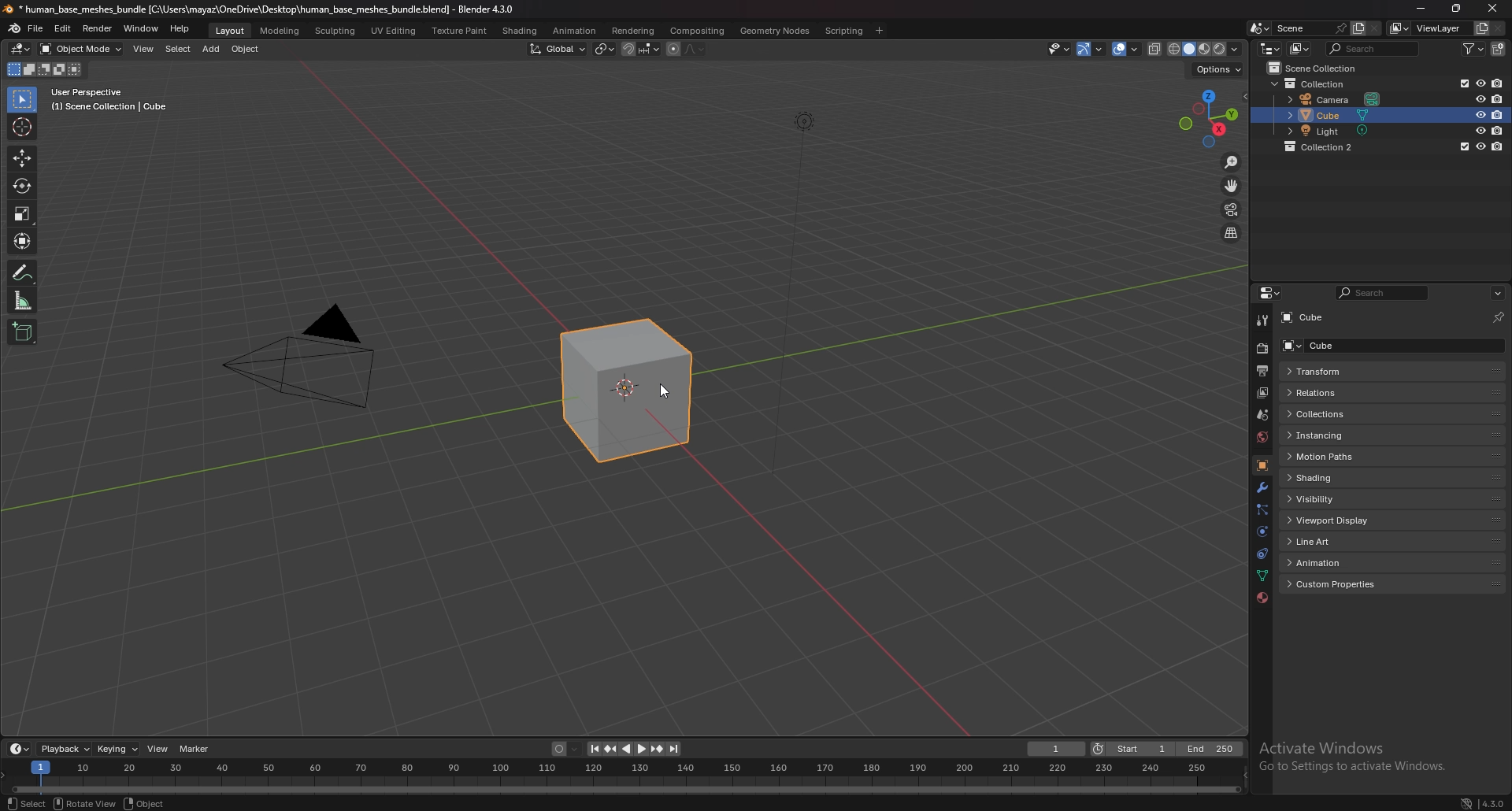 The height and width of the screenshot is (811, 1512). What do you see at coordinates (1262, 466) in the screenshot?
I see `object` at bounding box center [1262, 466].